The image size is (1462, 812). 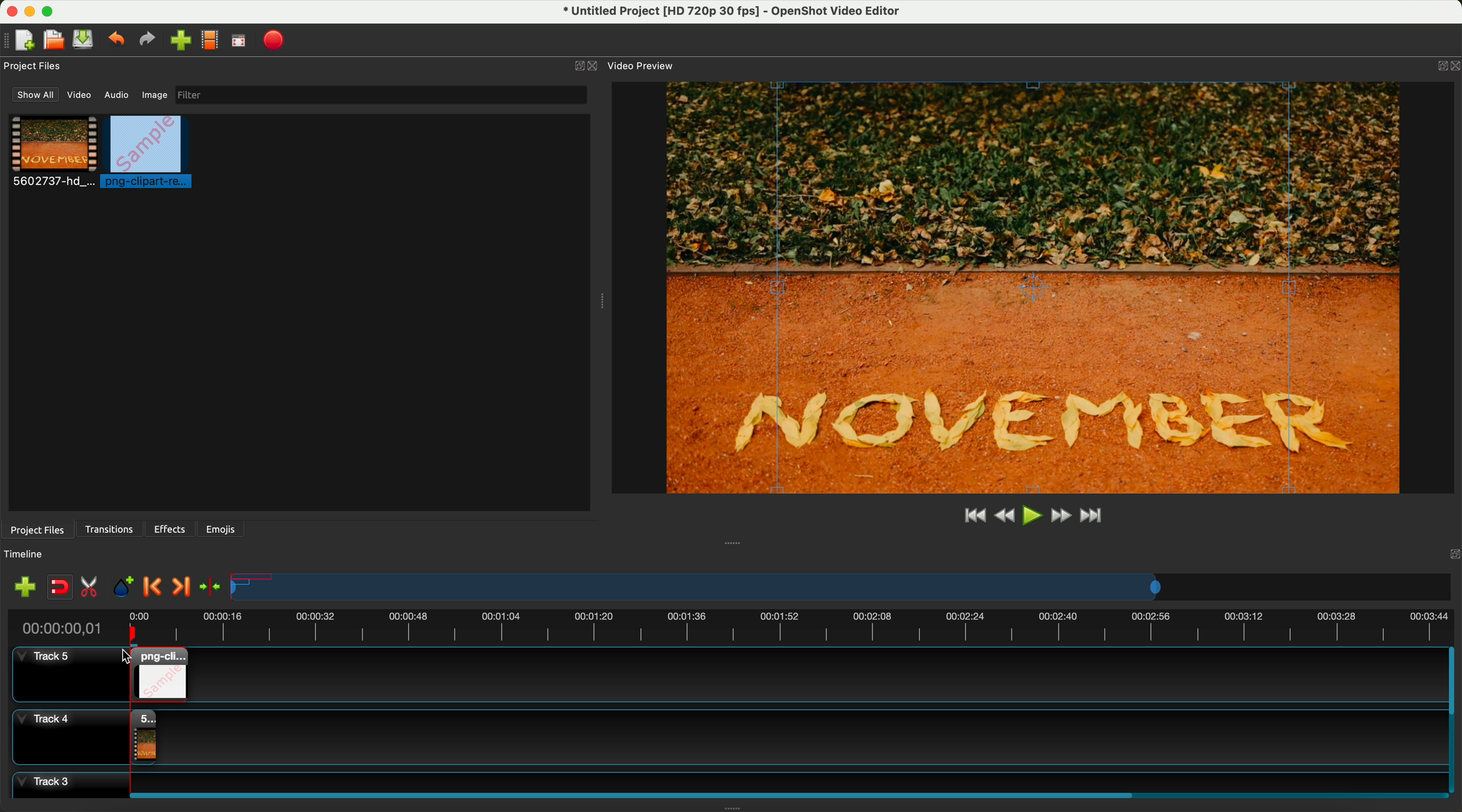 What do you see at coordinates (1039, 287) in the screenshot?
I see `pREVIEW` at bounding box center [1039, 287].